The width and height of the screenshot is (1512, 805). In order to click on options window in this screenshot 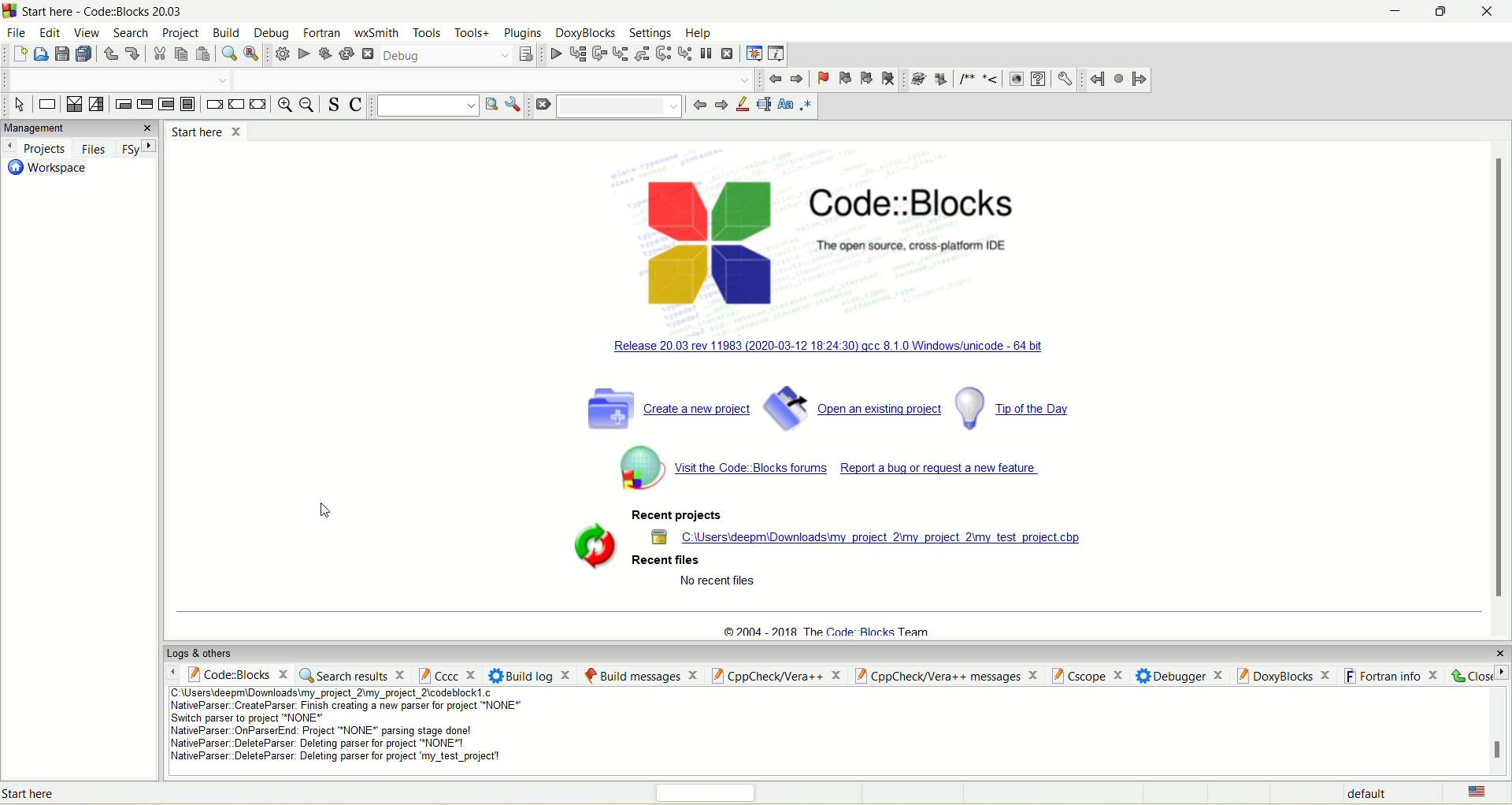, I will do `click(512, 105)`.